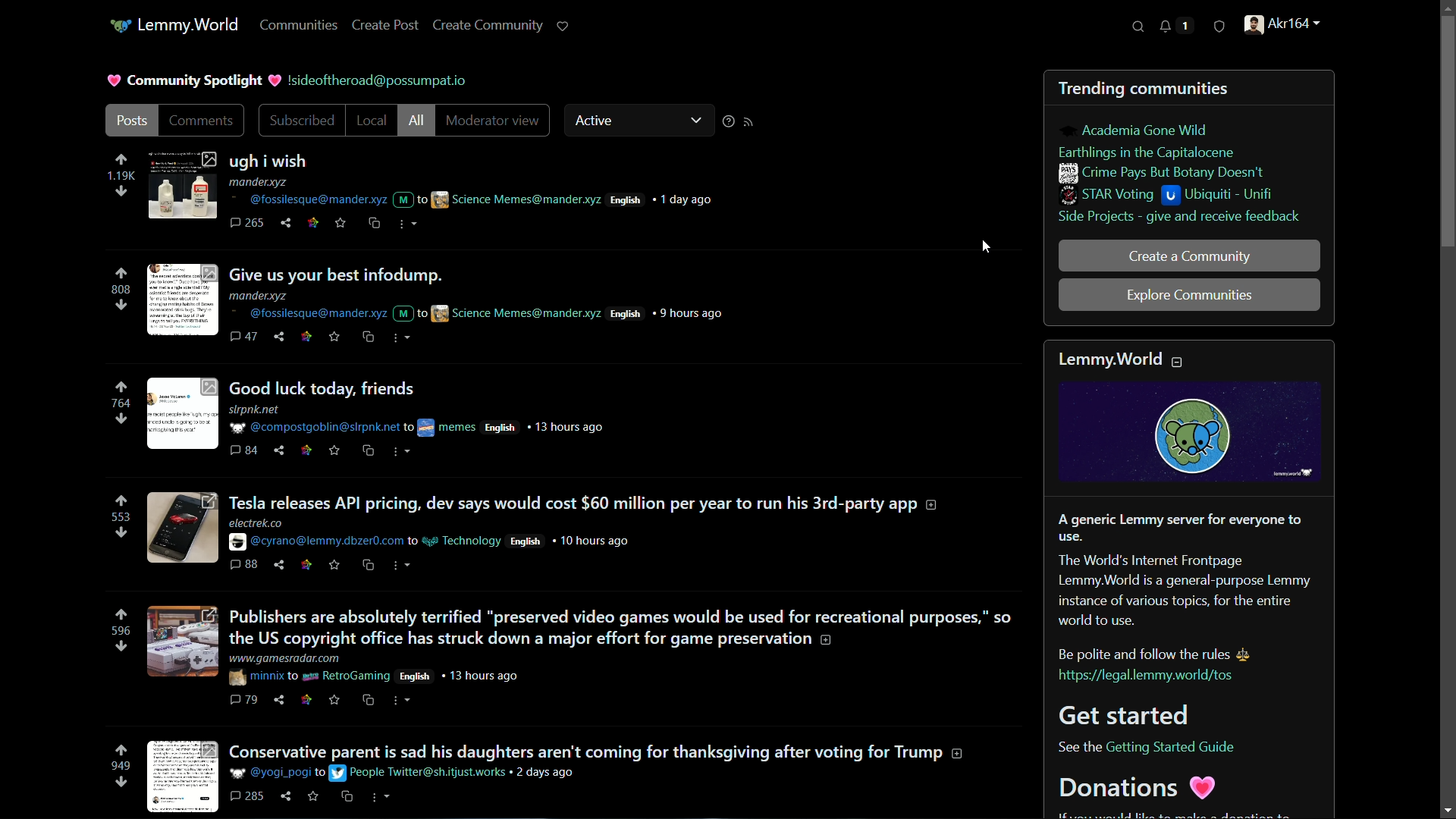 The image size is (1456, 819). What do you see at coordinates (1188, 256) in the screenshot?
I see `create a community` at bounding box center [1188, 256].